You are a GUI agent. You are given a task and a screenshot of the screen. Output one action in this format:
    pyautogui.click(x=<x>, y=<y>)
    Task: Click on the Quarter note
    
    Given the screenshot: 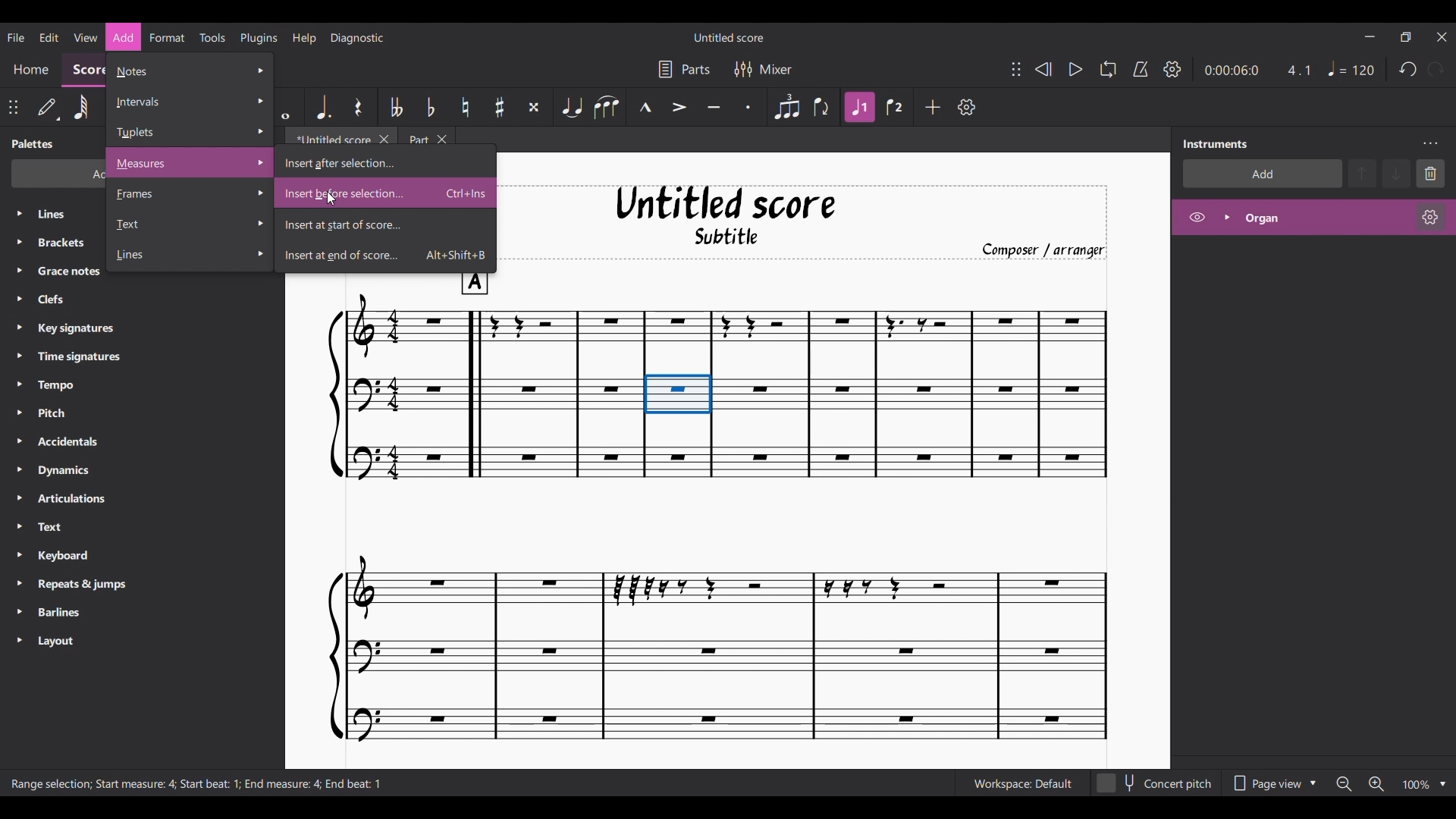 What is the action you would take?
    pyautogui.click(x=1351, y=68)
    